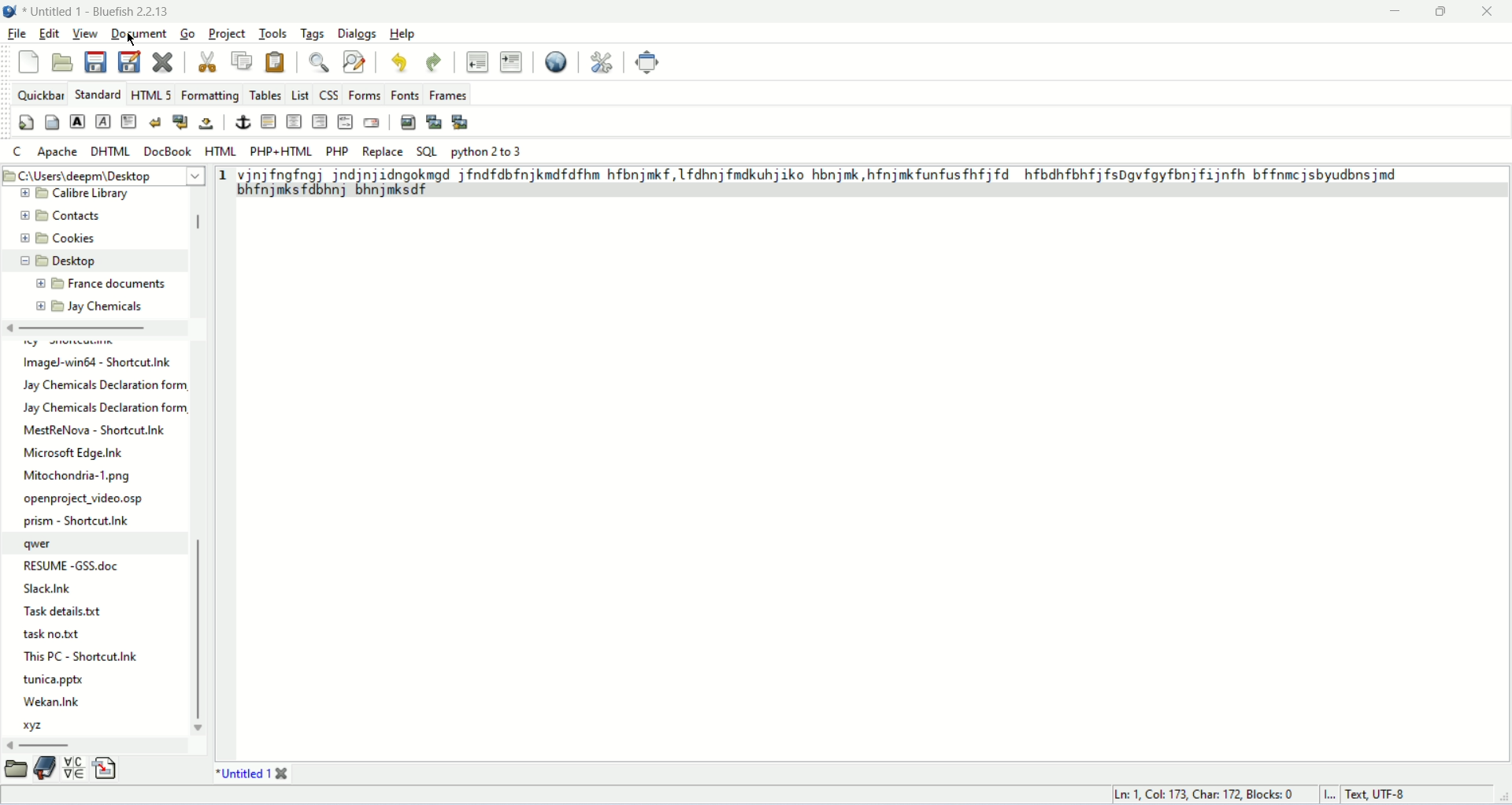  I want to click on bookmark, so click(44, 768).